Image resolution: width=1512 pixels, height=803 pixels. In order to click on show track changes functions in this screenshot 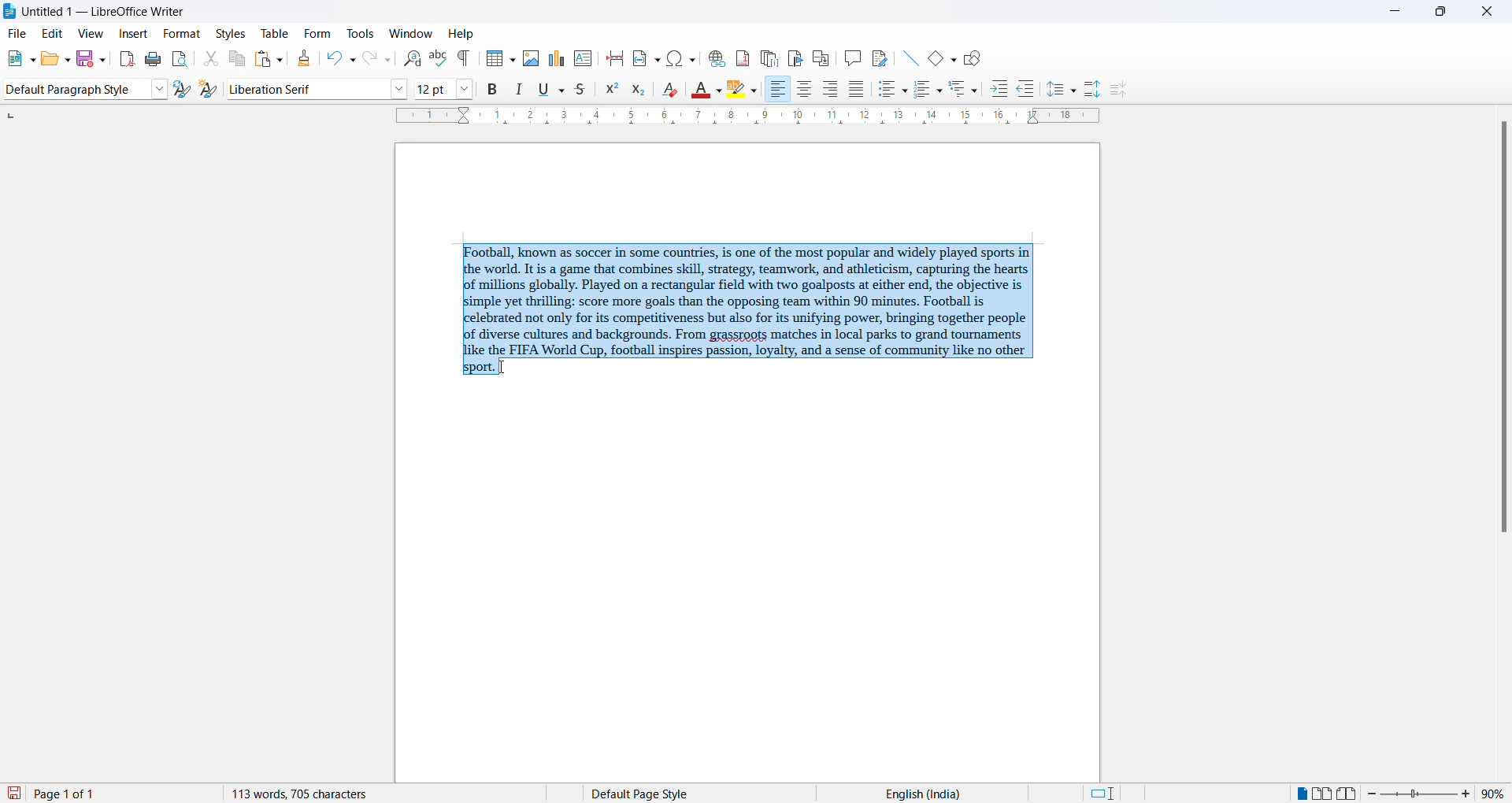, I will do `click(880, 58)`.